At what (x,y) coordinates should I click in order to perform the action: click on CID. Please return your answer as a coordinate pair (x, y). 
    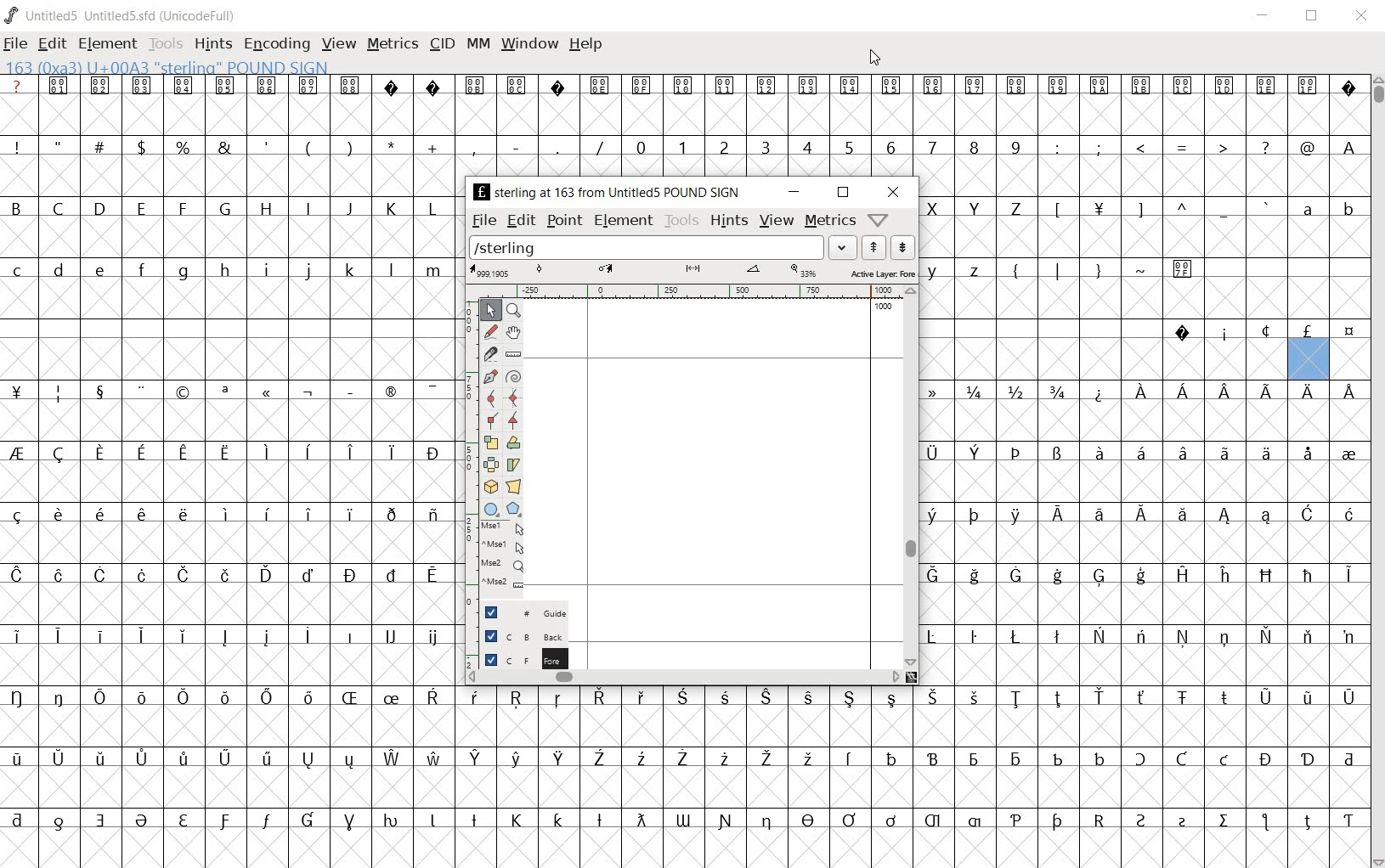
    Looking at the image, I should click on (442, 45).